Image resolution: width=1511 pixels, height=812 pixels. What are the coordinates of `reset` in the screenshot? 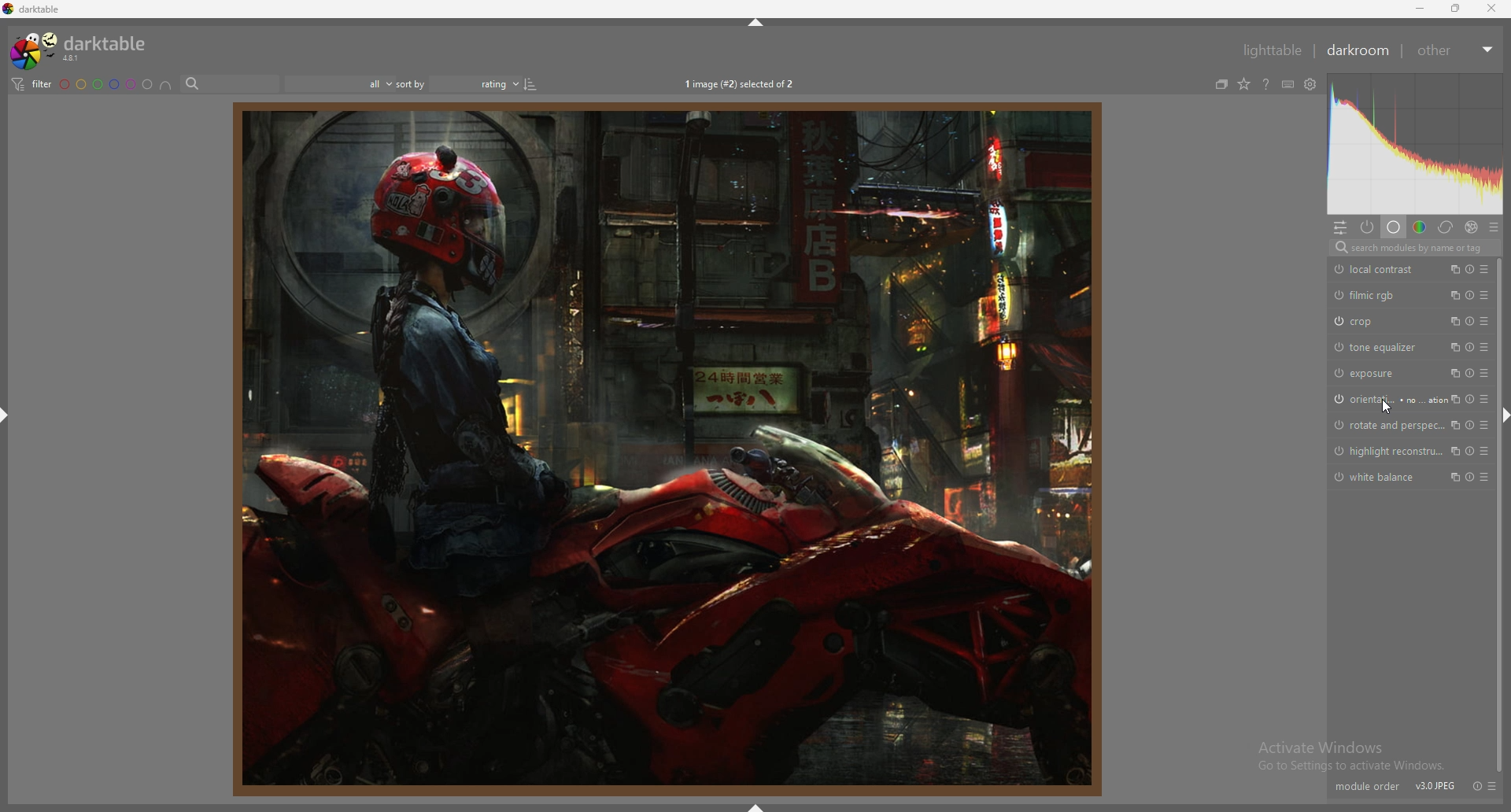 It's located at (1470, 269).